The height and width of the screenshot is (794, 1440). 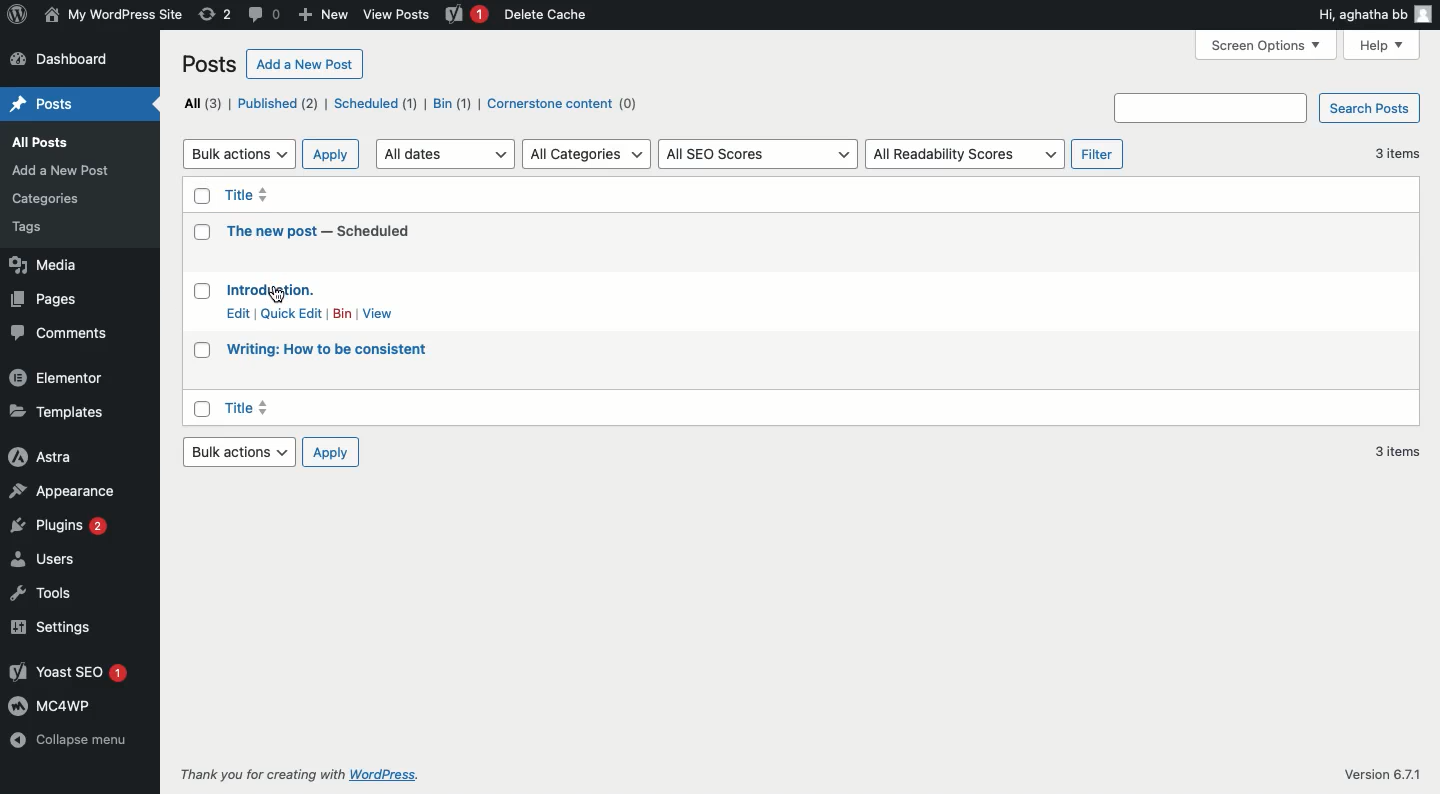 What do you see at coordinates (201, 105) in the screenshot?
I see `All` at bounding box center [201, 105].